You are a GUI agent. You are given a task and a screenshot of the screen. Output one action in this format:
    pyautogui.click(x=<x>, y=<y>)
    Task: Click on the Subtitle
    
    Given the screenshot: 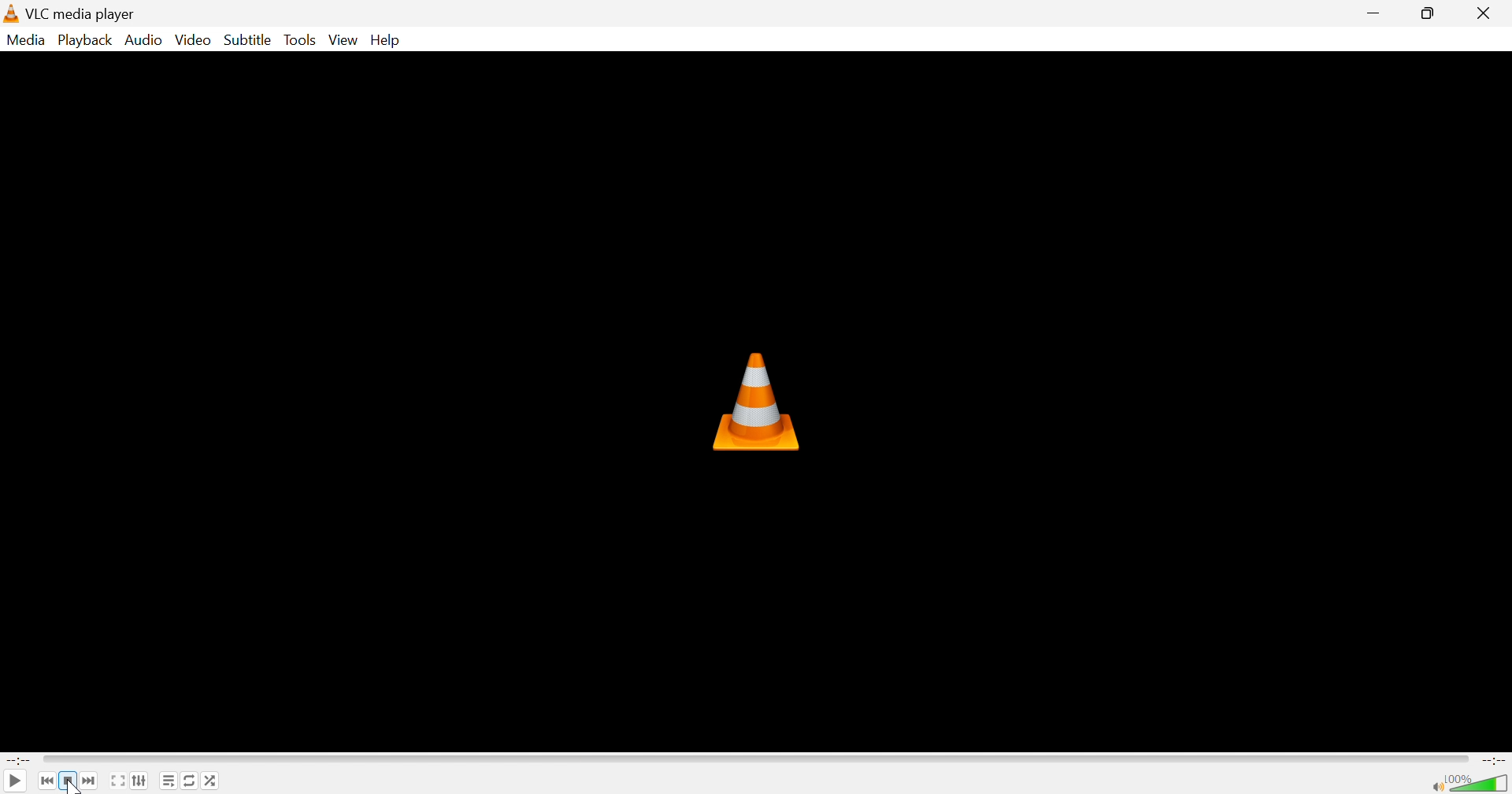 What is the action you would take?
    pyautogui.click(x=249, y=39)
    